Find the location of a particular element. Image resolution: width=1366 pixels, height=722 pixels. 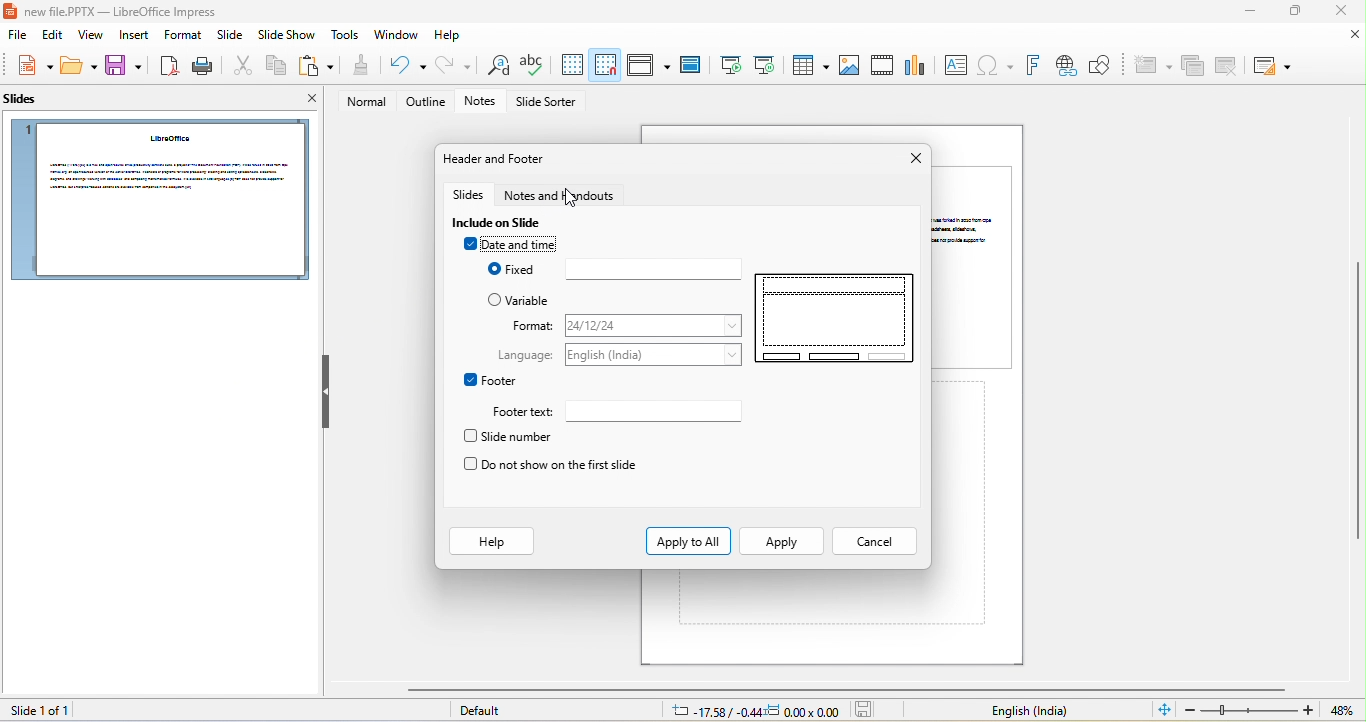

window is located at coordinates (397, 35).